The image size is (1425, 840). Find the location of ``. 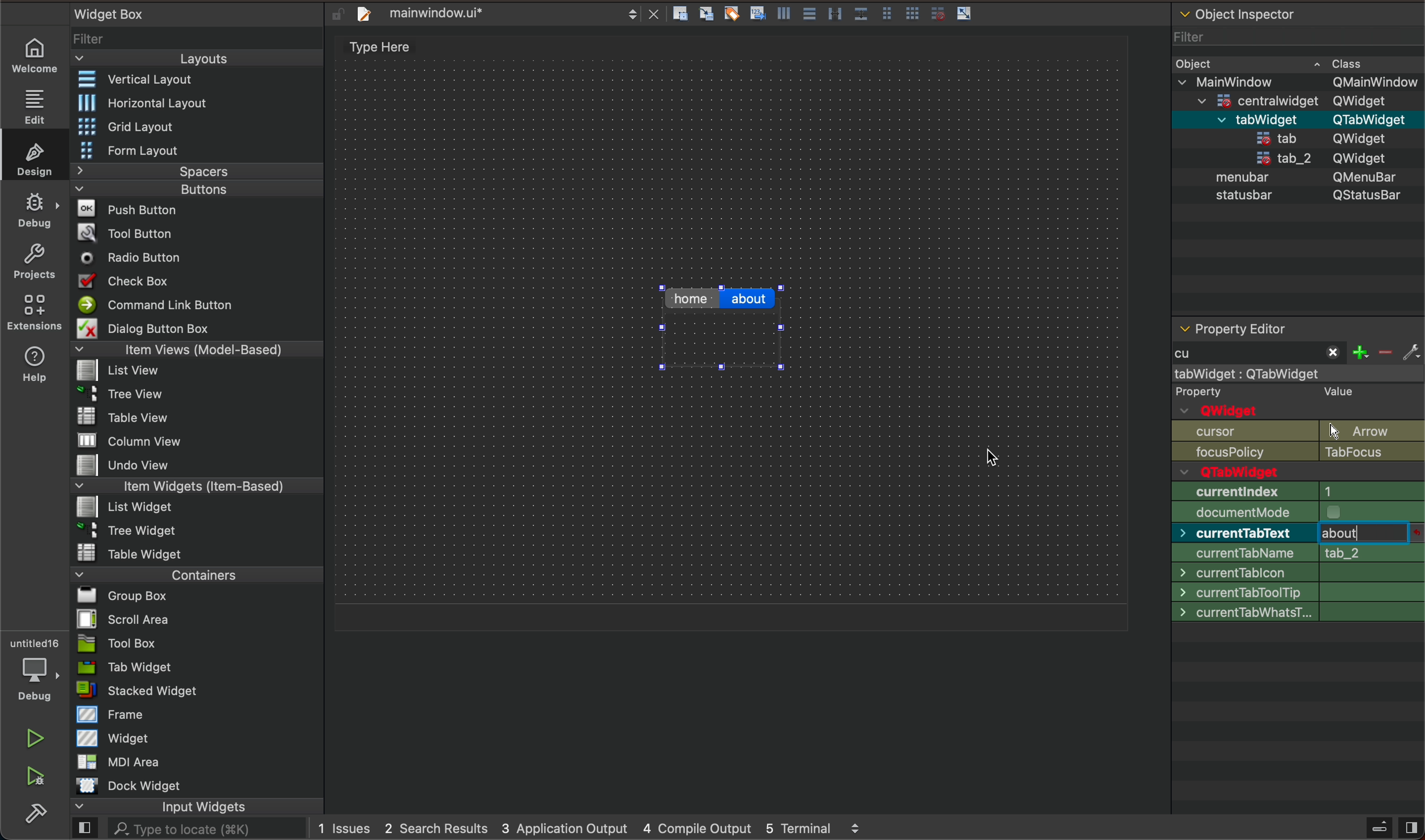

 is located at coordinates (1299, 552).